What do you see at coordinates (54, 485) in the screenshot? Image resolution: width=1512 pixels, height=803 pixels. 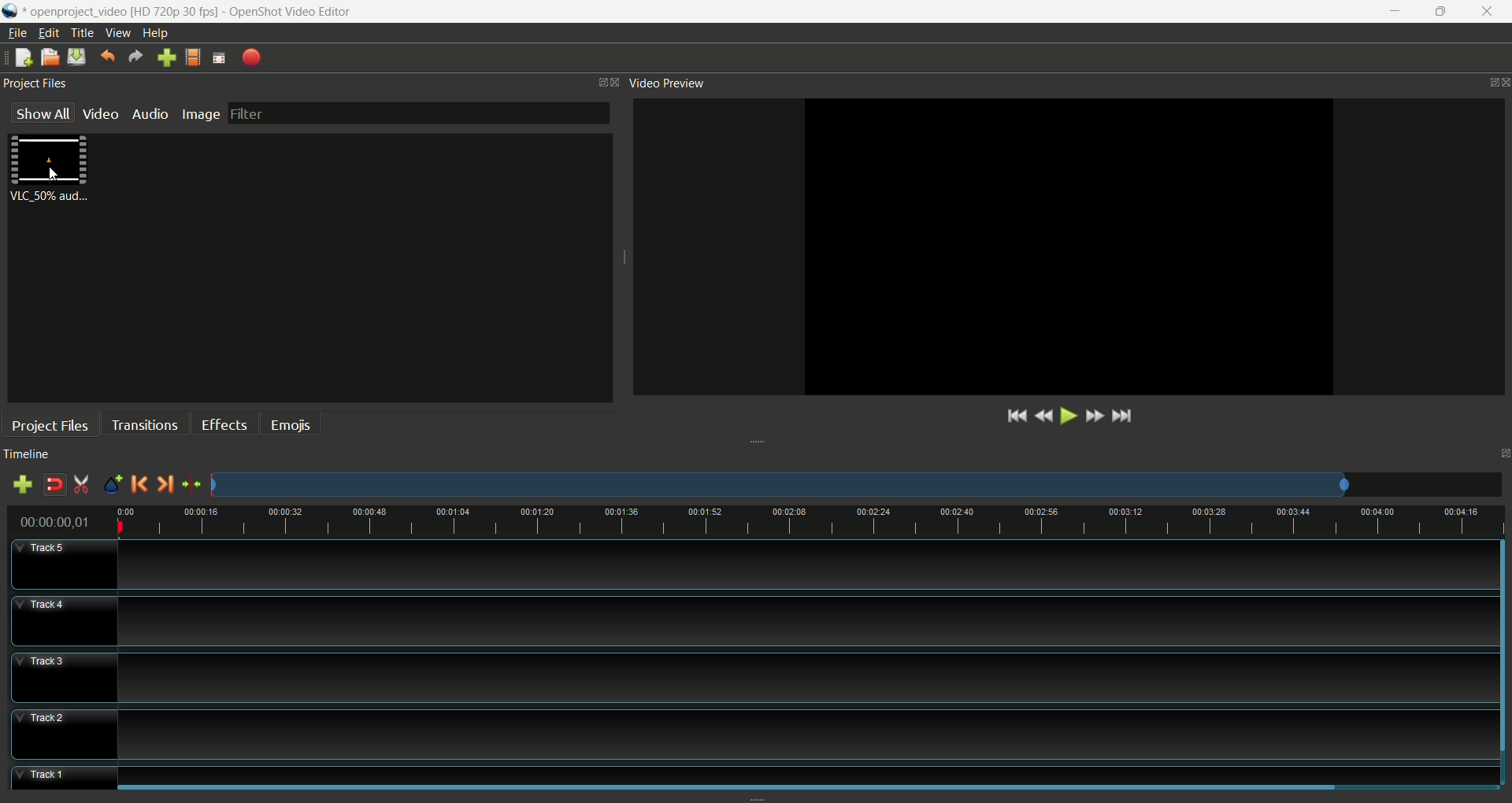 I see `disable snapping` at bounding box center [54, 485].